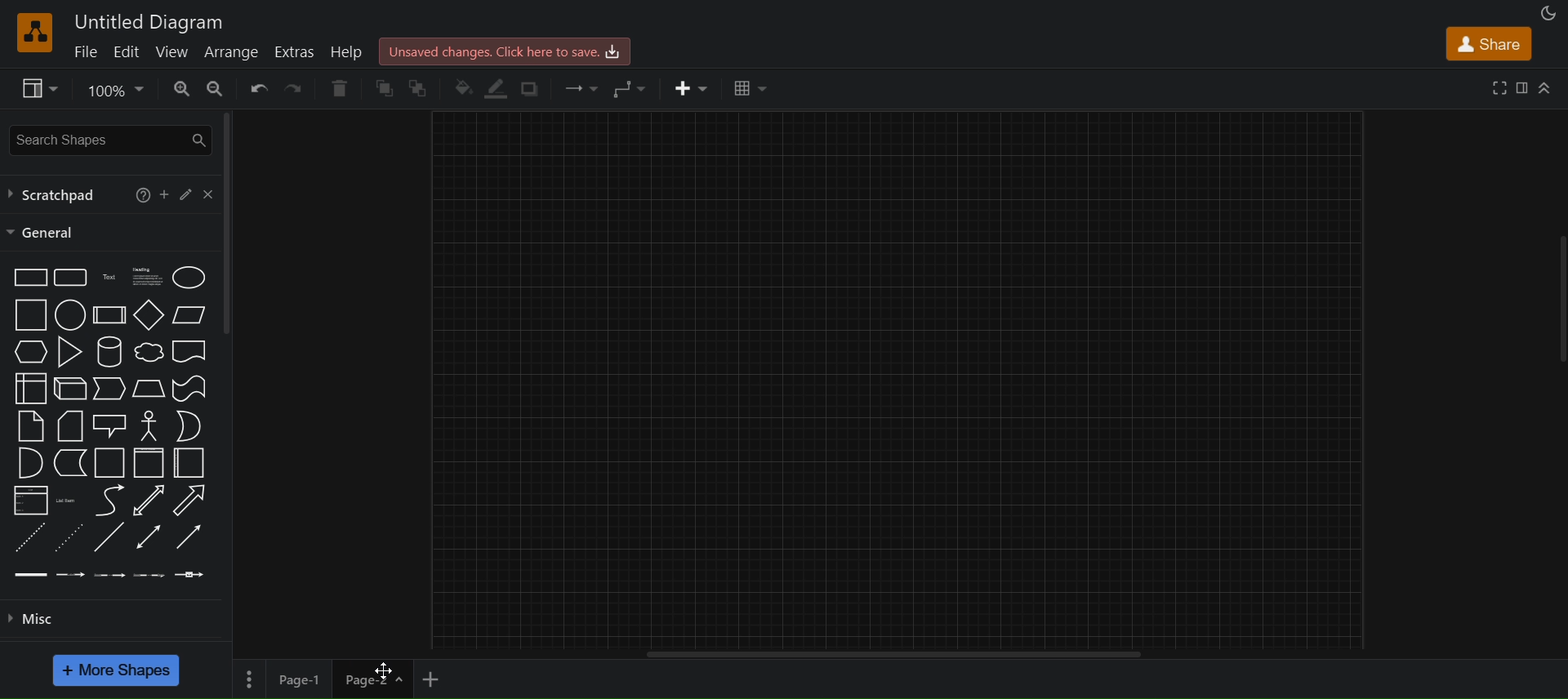  What do you see at coordinates (190, 314) in the screenshot?
I see `parallelogram` at bounding box center [190, 314].